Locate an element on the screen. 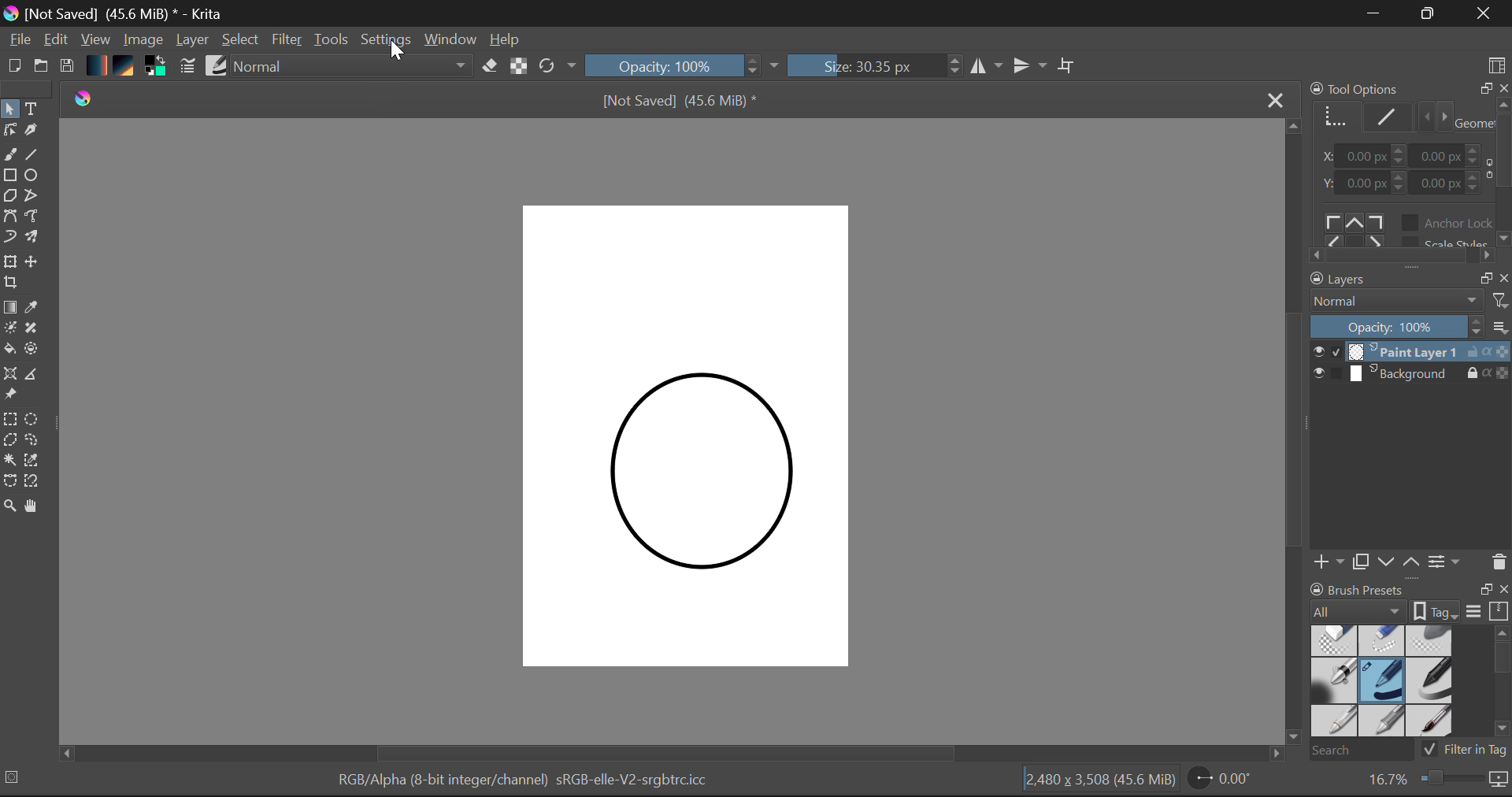 This screenshot has width=1512, height=797. Zoom is located at coordinates (9, 505).